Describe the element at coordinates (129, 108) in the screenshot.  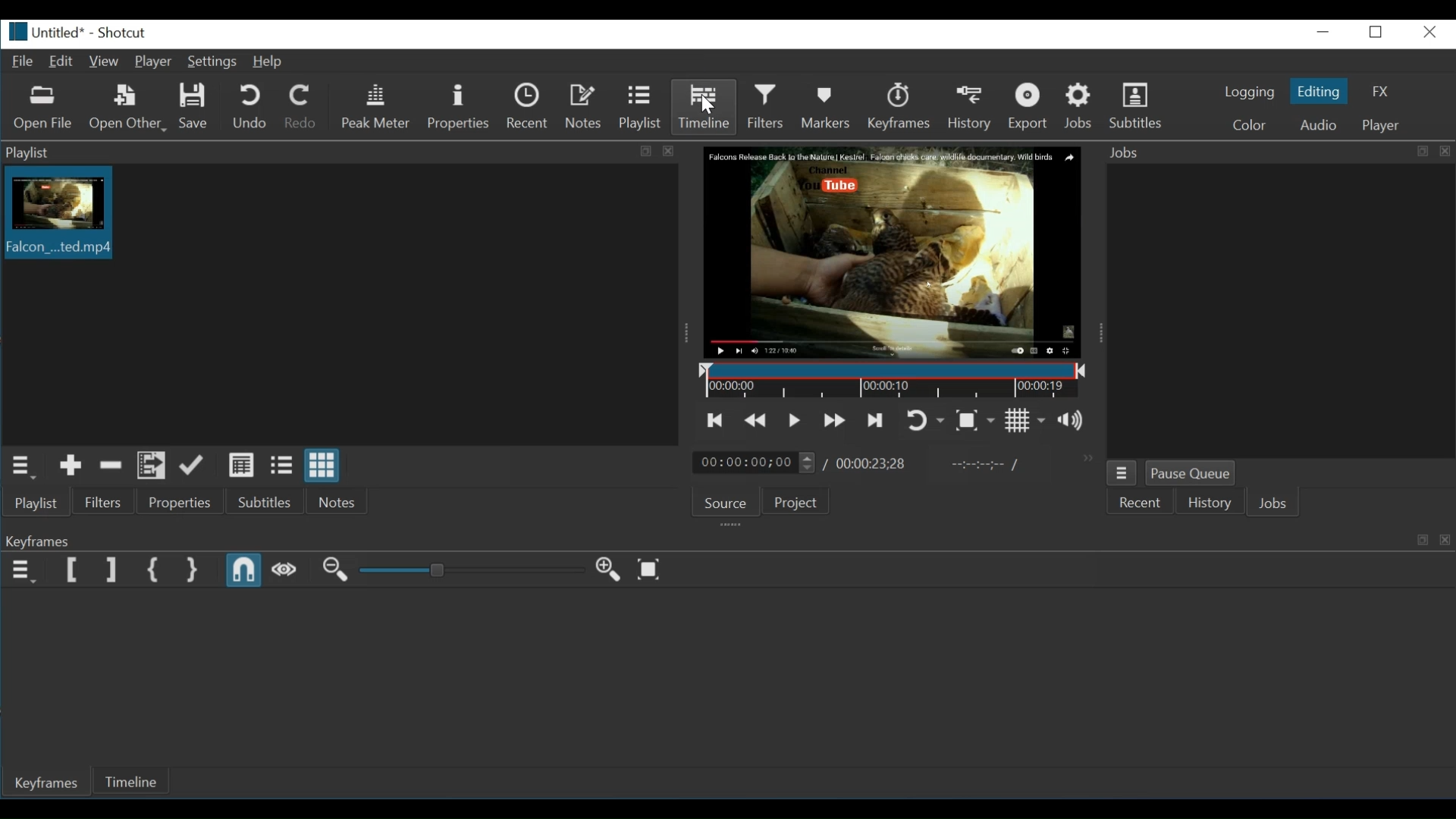
I see `Open Other` at that location.